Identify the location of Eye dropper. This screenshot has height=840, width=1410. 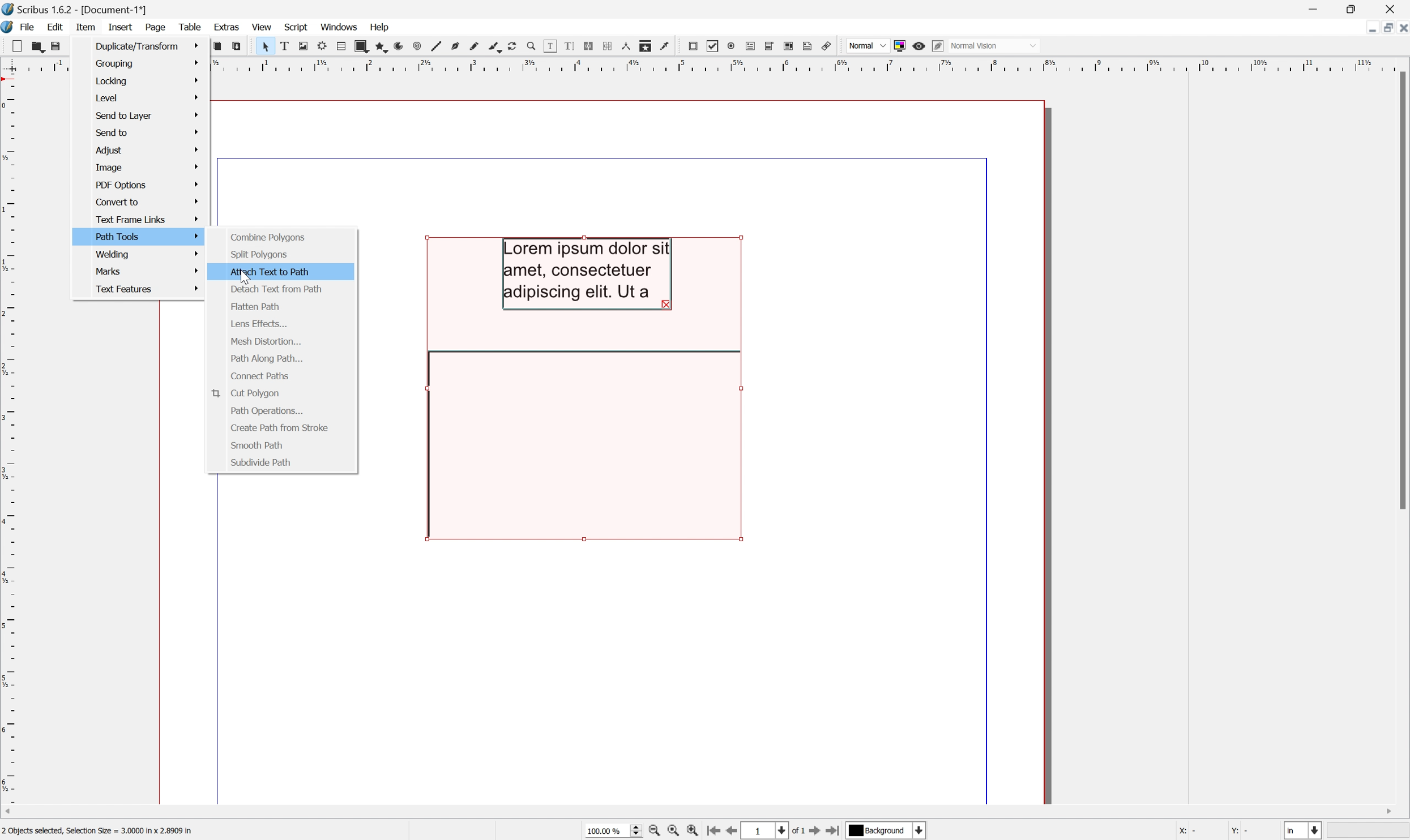
(666, 46).